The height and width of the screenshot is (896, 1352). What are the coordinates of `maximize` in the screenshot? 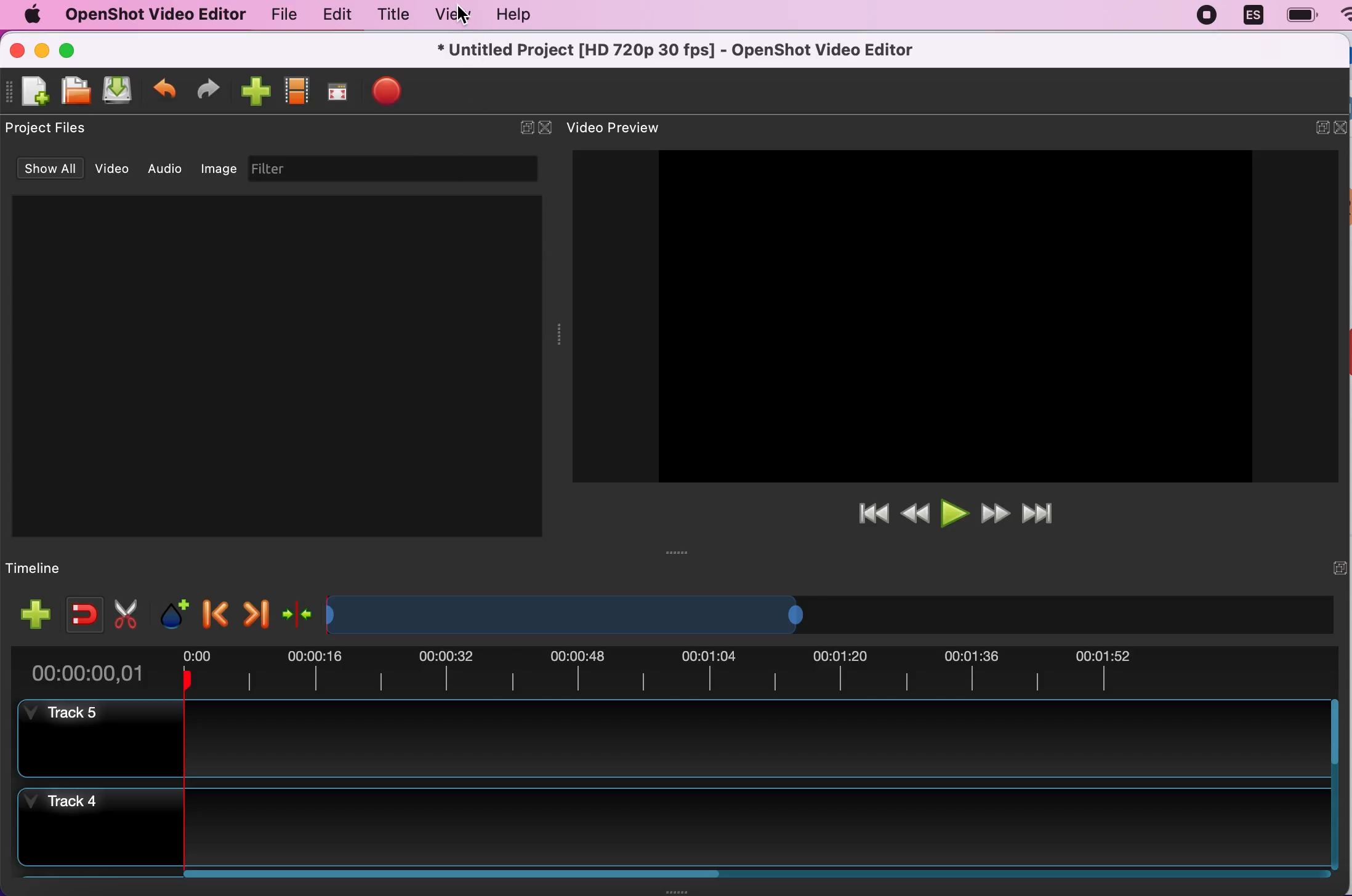 It's located at (71, 49).